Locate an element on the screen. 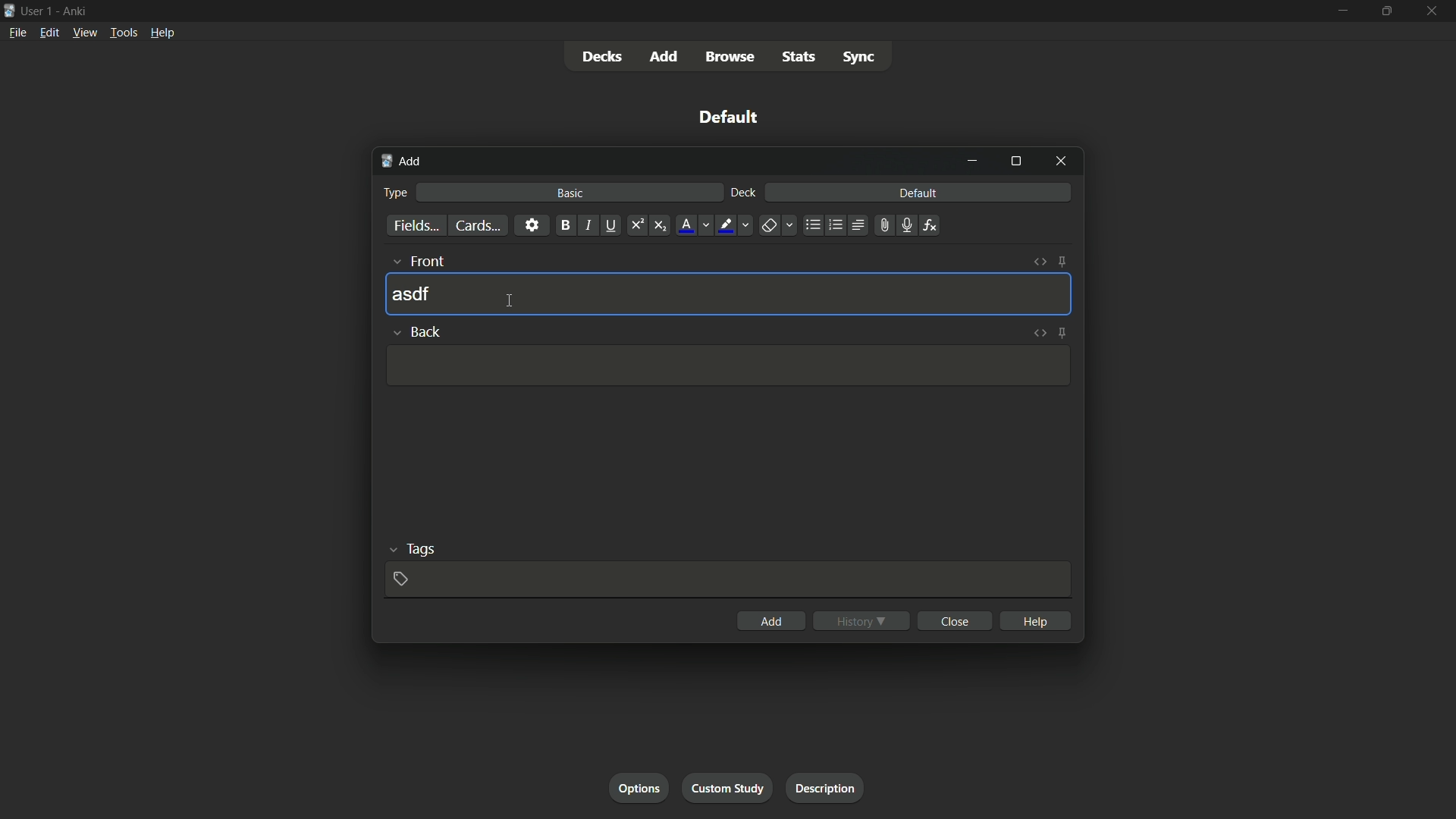 Image resolution: width=1456 pixels, height=819 pixels. default is located at coordinates (920, 193).